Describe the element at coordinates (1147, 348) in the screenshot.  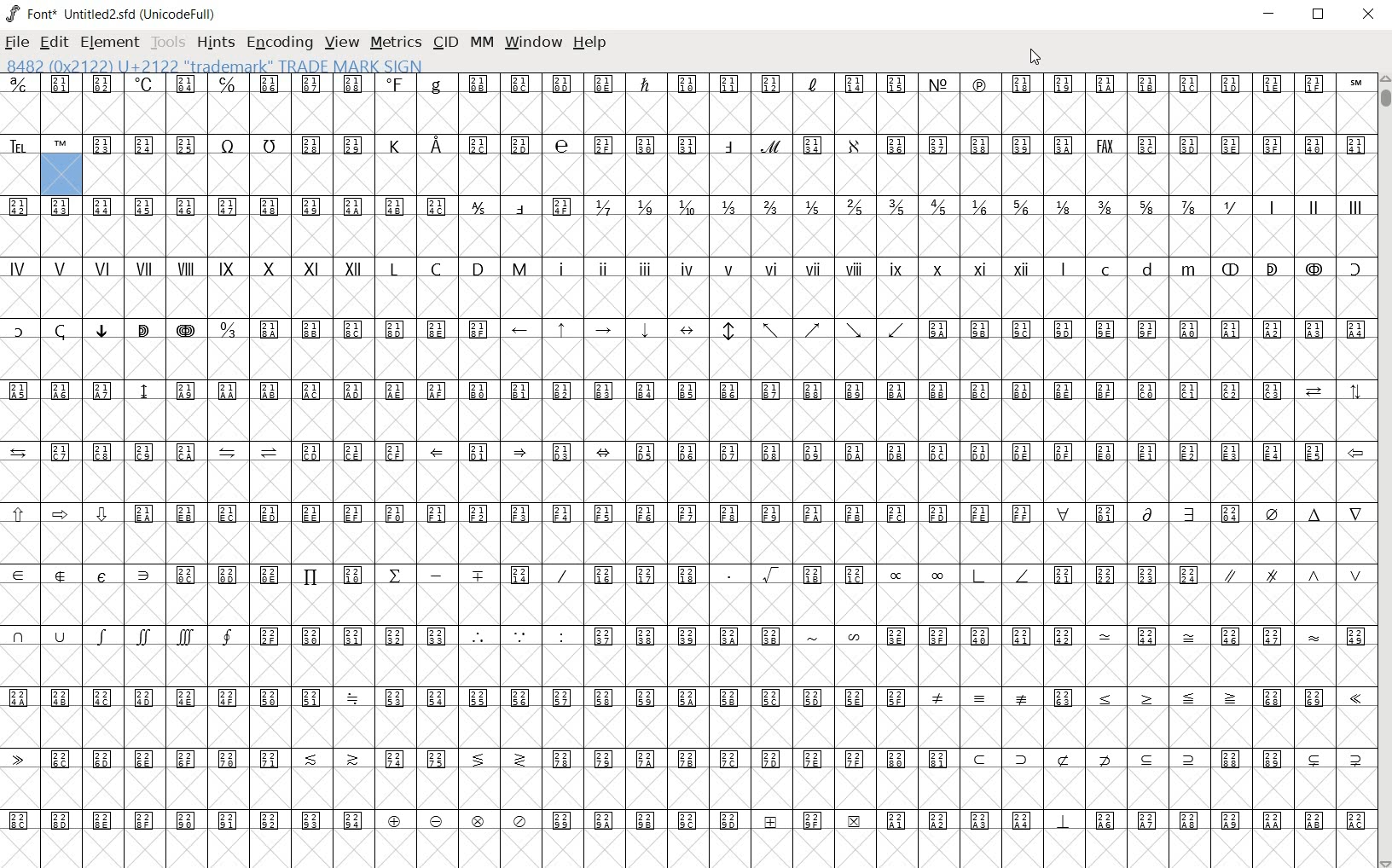
I see `symbols` at that location.